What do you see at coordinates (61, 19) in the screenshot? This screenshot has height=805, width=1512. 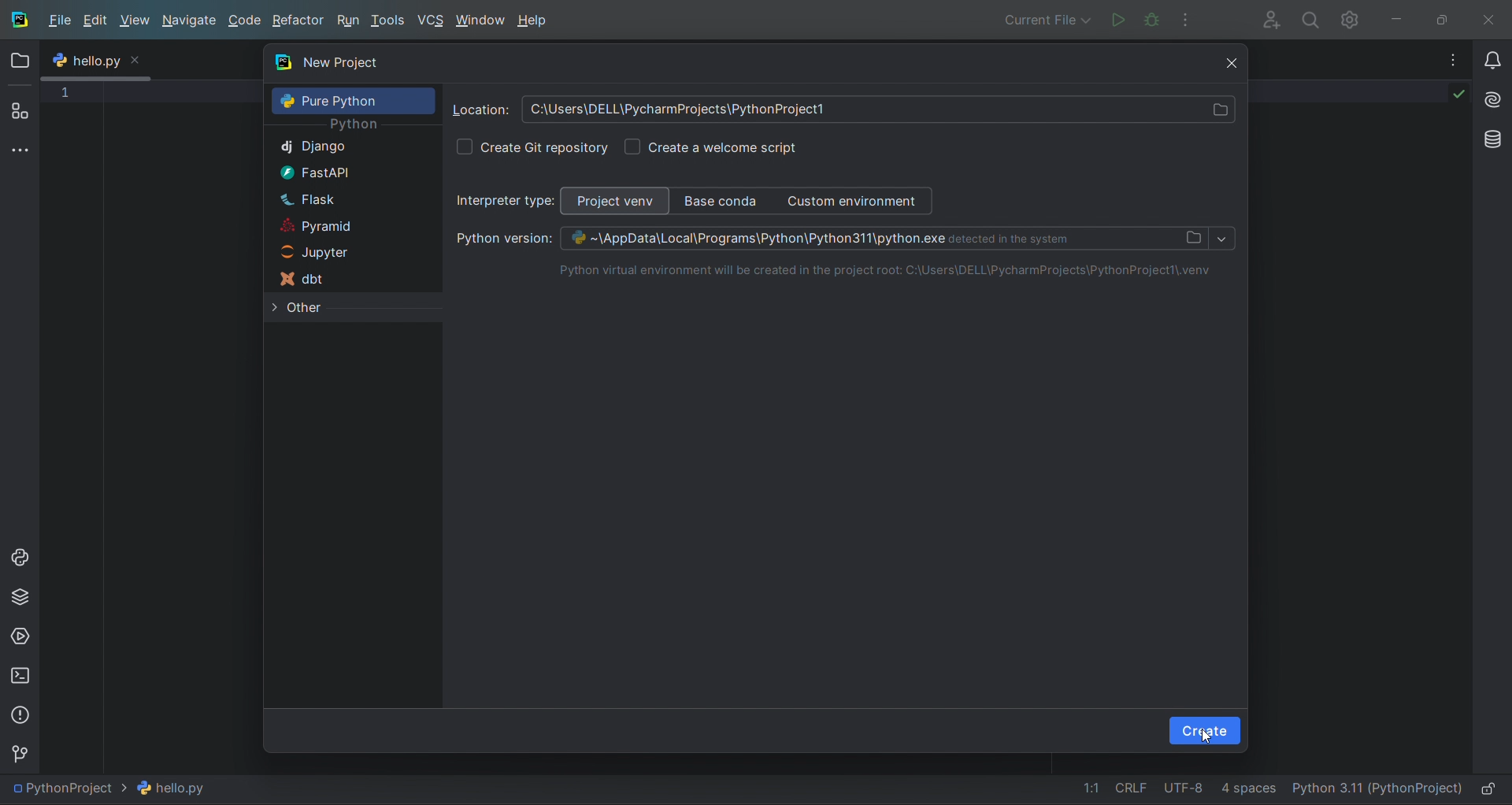 I see `file` at bounding box center [61, 19].